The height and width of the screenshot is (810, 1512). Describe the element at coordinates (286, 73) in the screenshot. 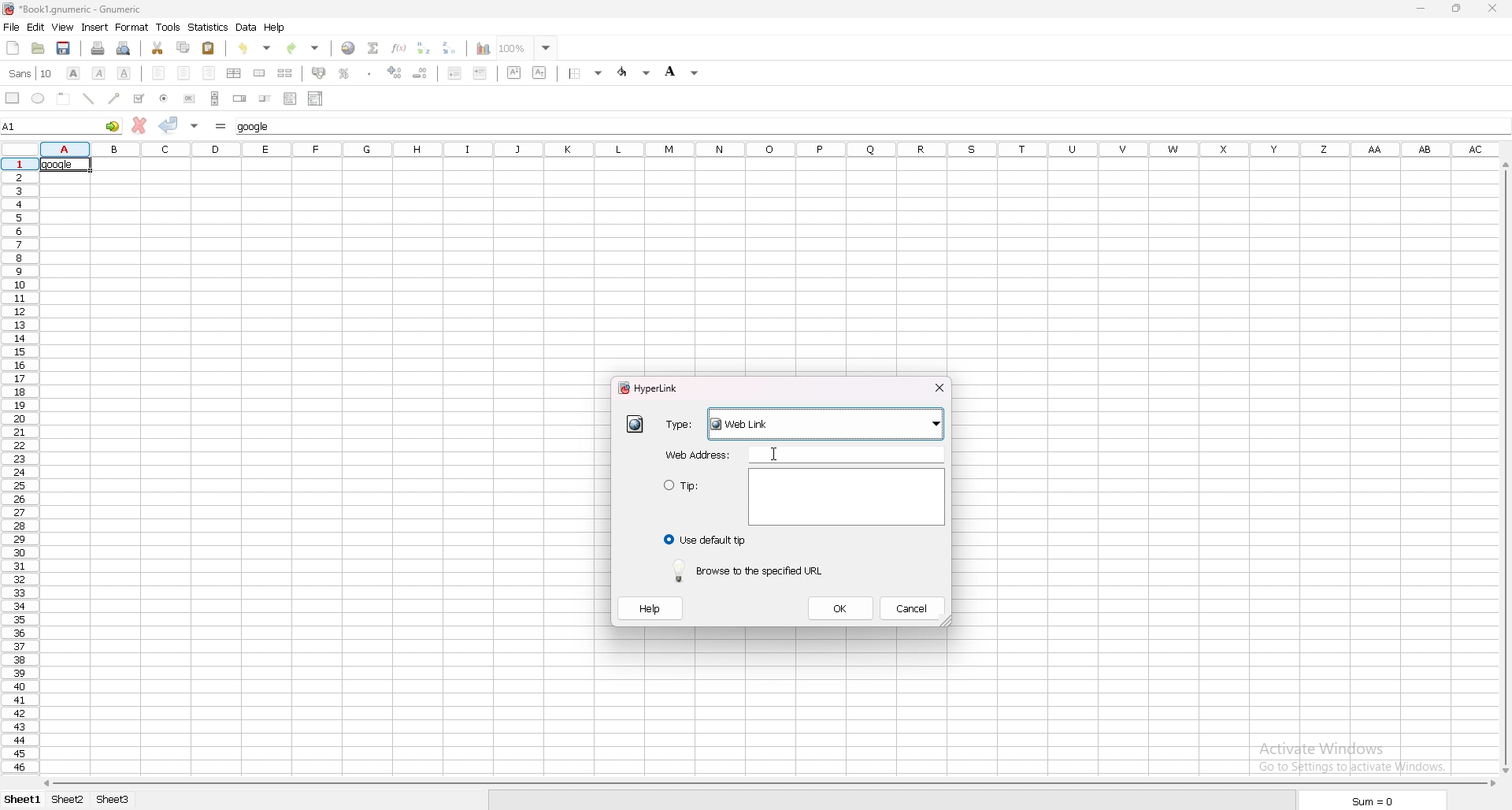

I see `split merged cell` at that location.